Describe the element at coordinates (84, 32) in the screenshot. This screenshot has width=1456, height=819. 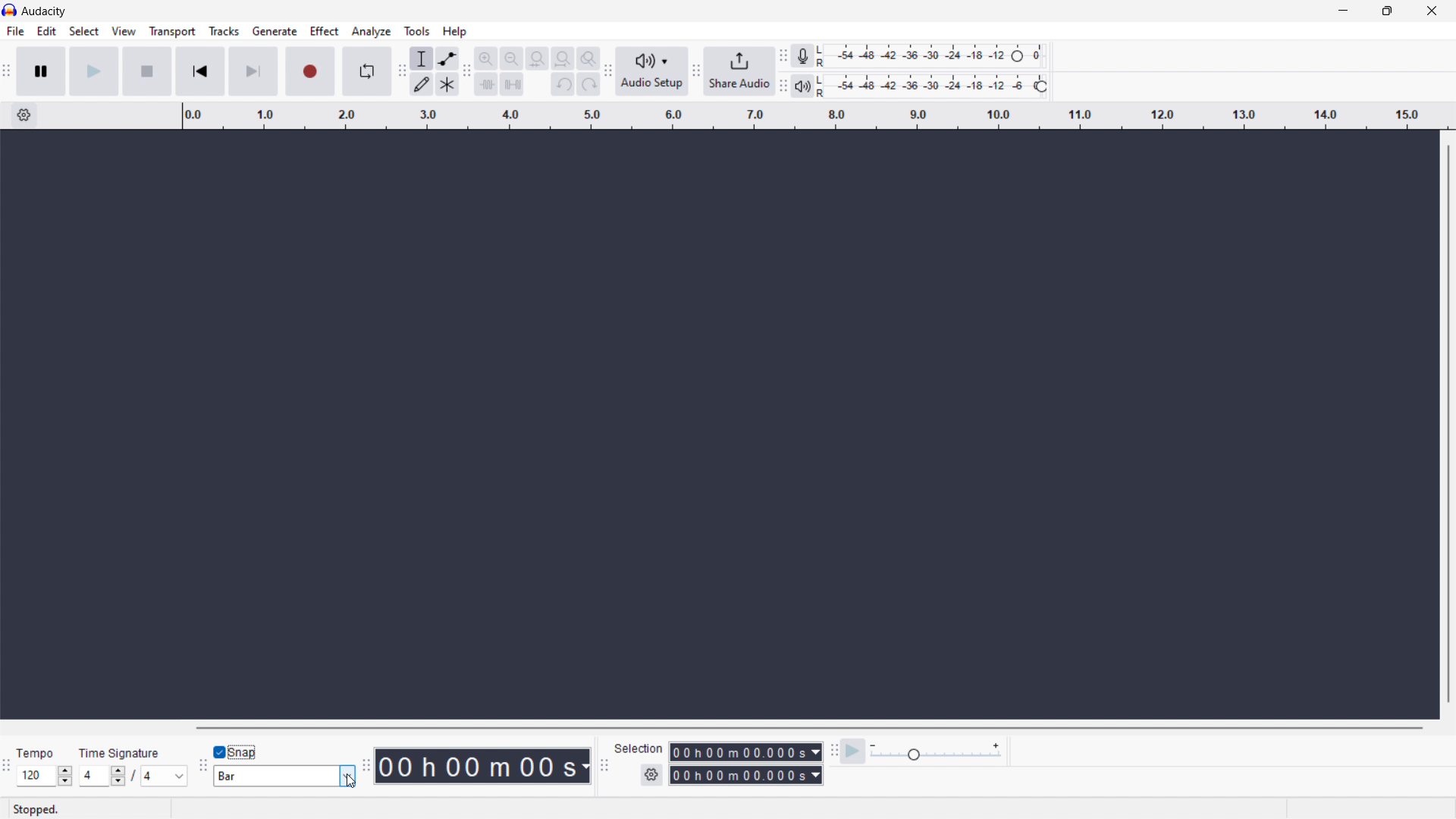
I see `select` at that location.